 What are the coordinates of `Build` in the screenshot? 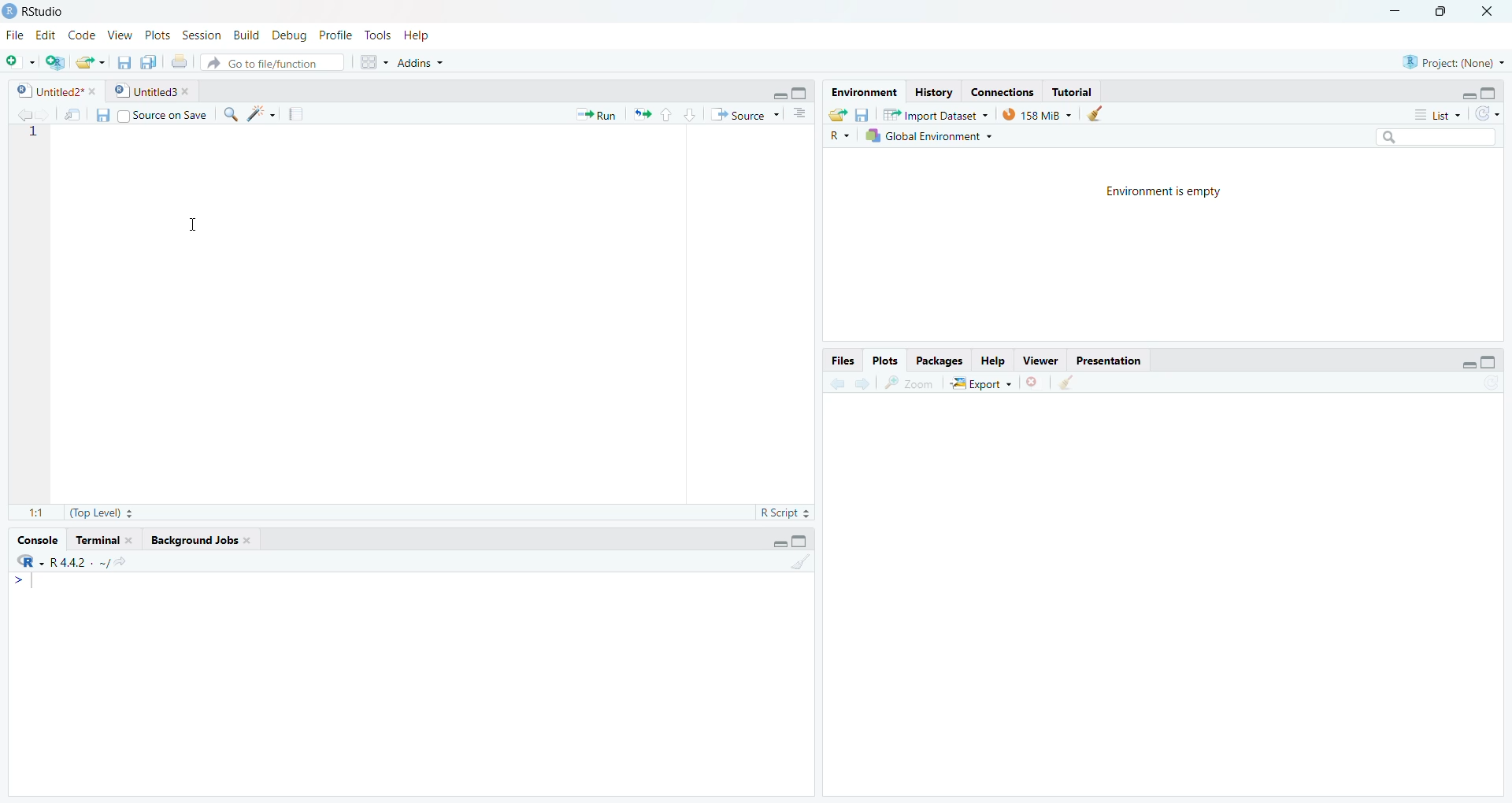 It's located at (244, 35).